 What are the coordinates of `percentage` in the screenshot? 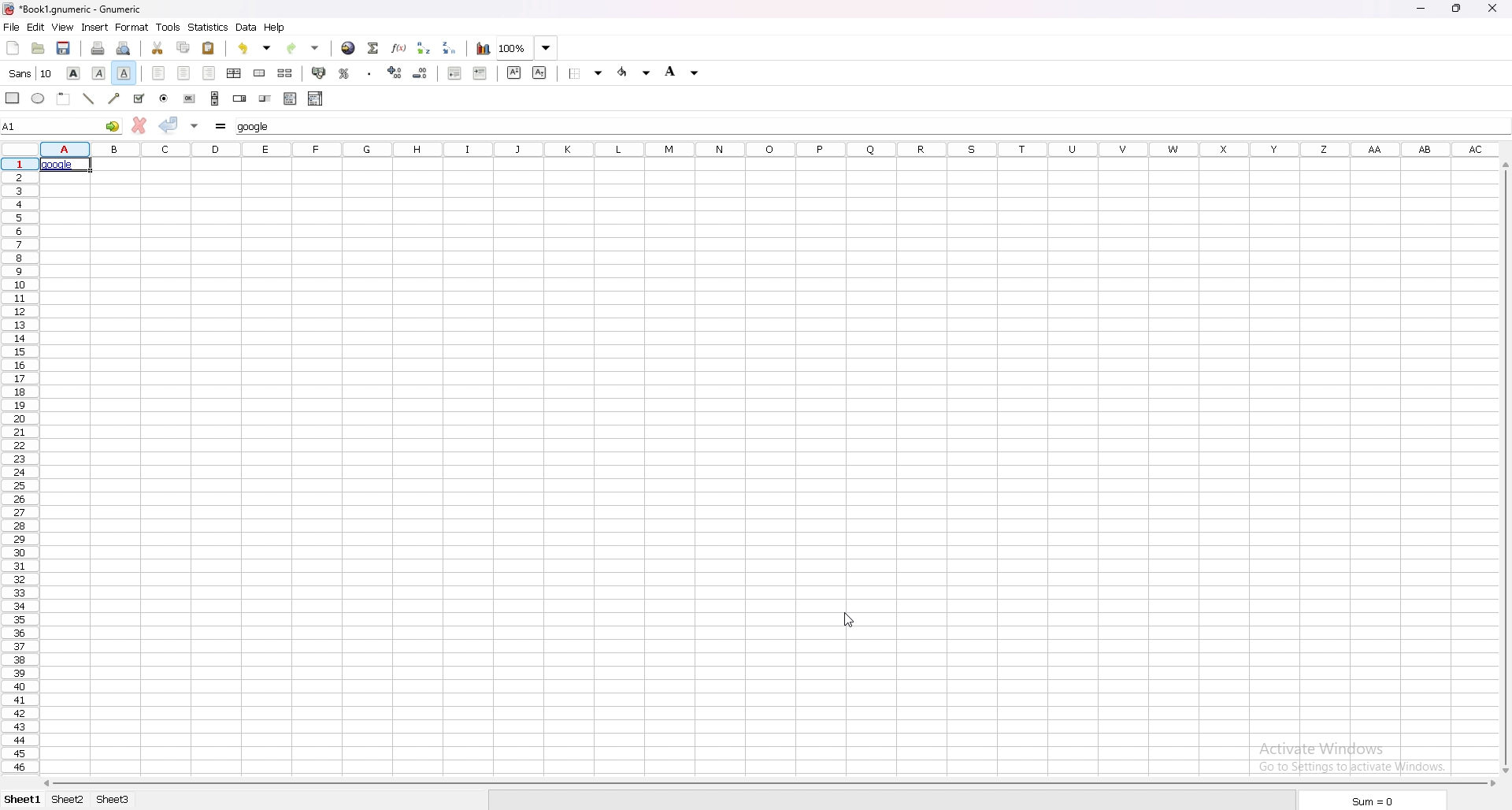 It's located at (344, 73).